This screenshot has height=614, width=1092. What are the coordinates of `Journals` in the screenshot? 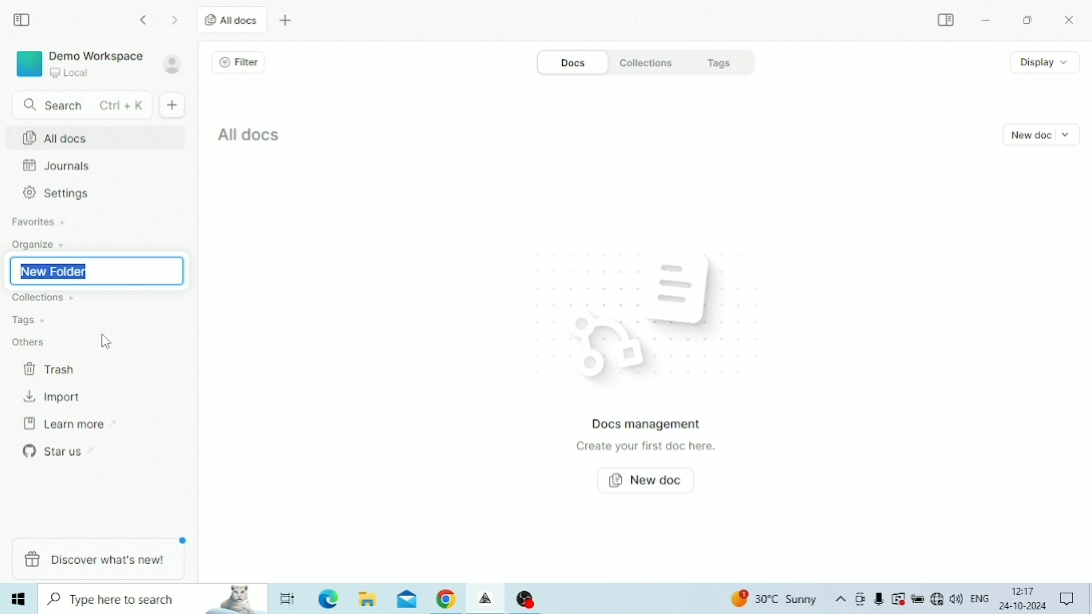 It's located at (57, 165).